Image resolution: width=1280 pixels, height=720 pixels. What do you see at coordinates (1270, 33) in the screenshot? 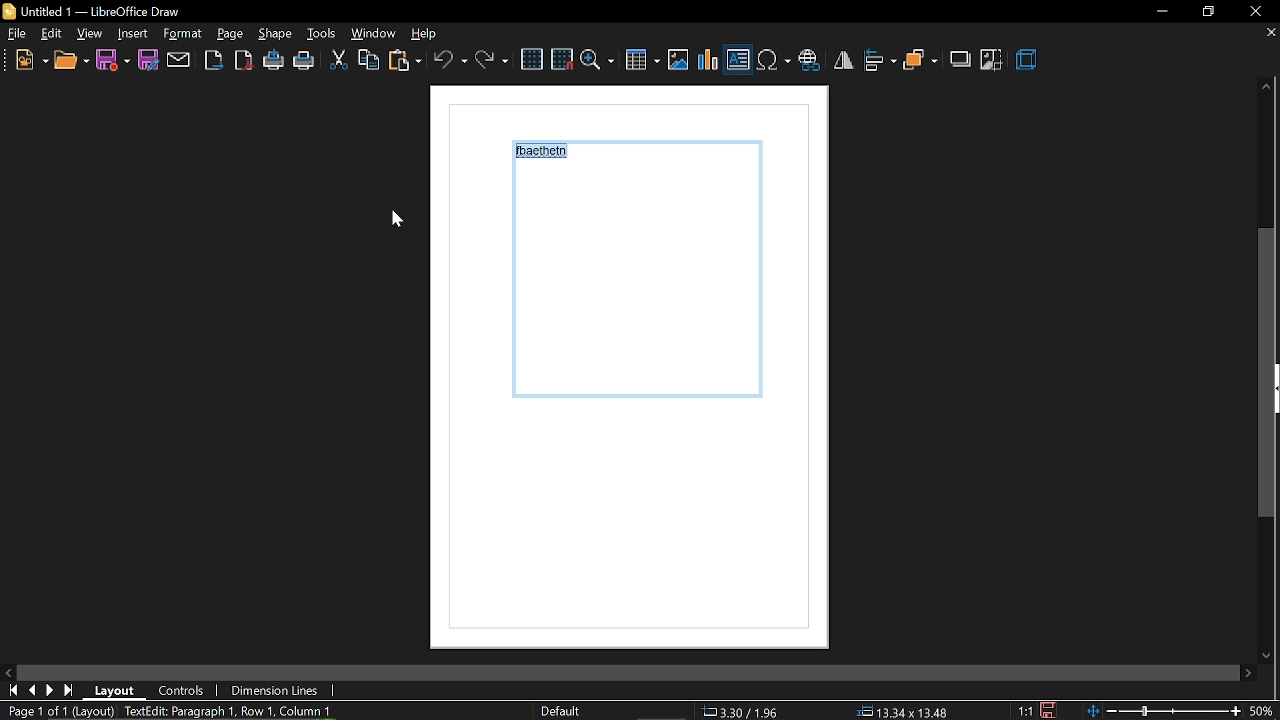
I see `CLose tab` at bounding box center [1270, 33].